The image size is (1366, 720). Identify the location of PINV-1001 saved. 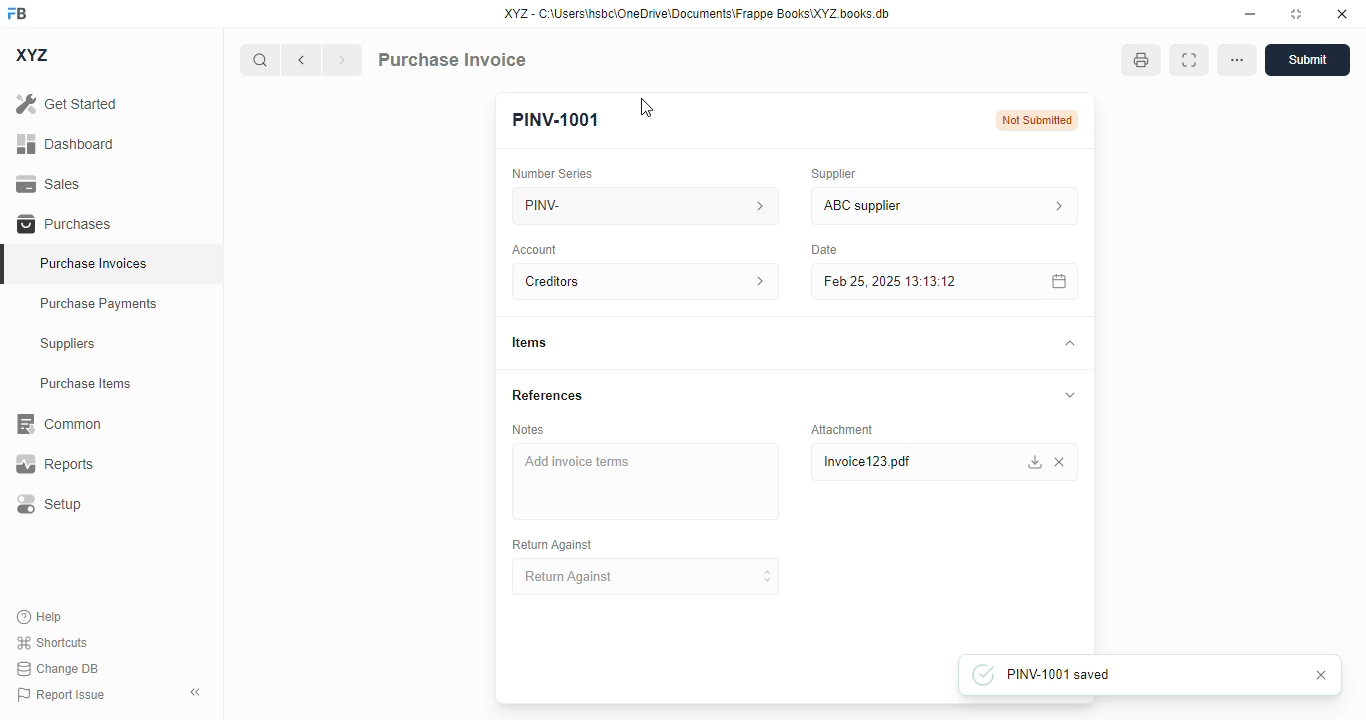
(1116, 674).